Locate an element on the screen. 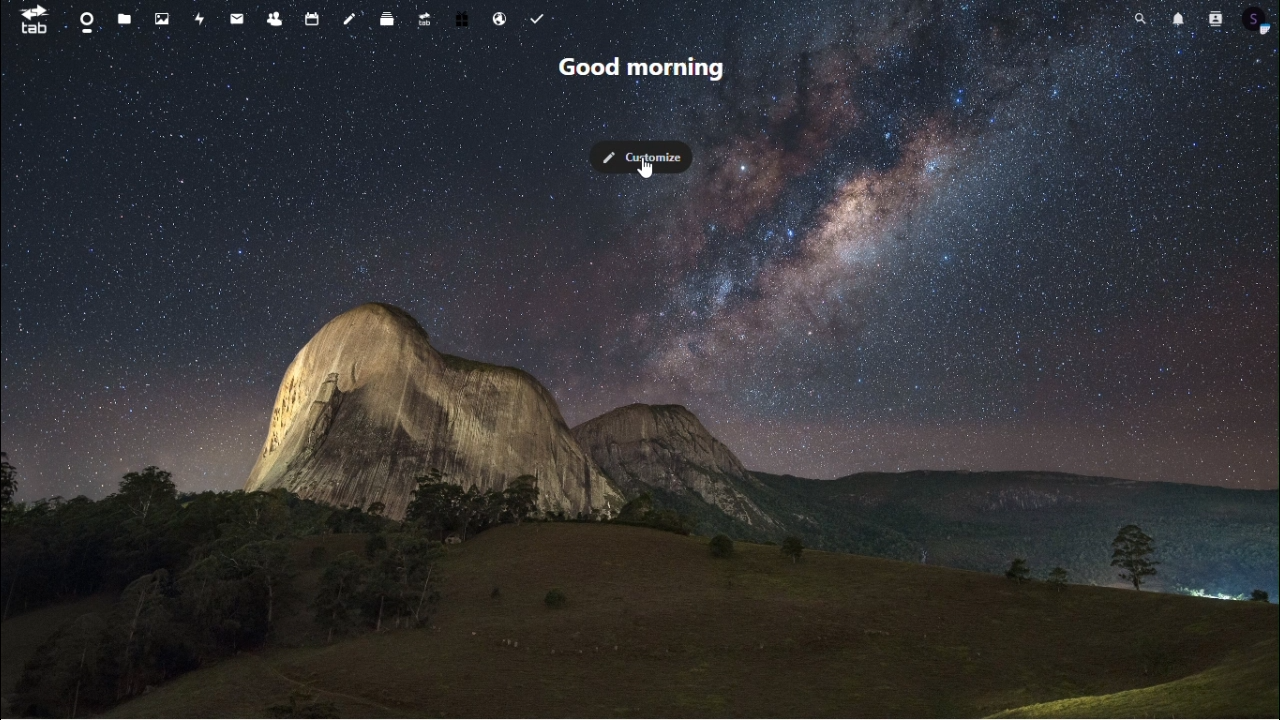  message is located at coordinates (237, 22).